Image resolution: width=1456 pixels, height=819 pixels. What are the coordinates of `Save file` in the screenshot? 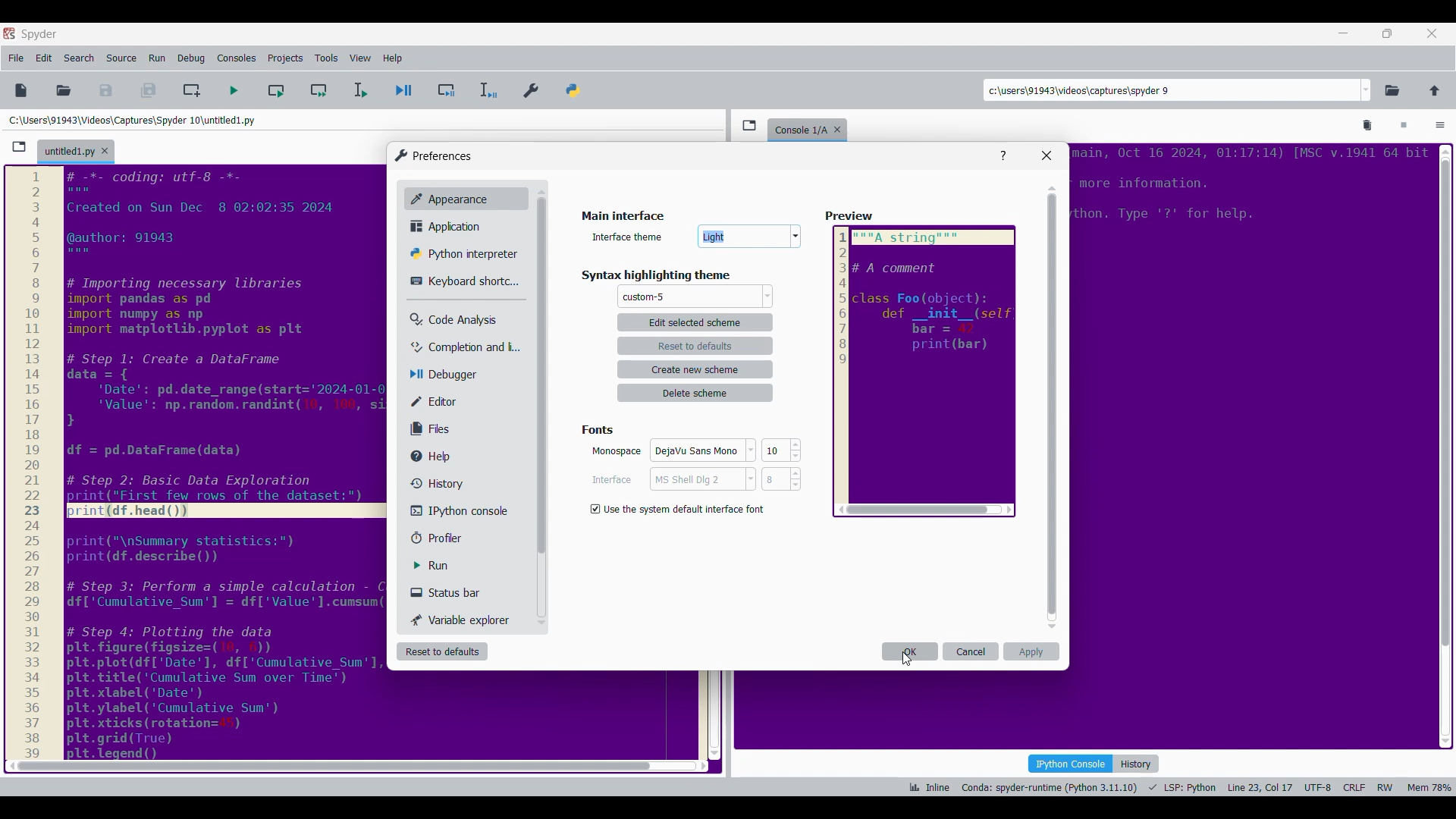 It's located at (107, 90).